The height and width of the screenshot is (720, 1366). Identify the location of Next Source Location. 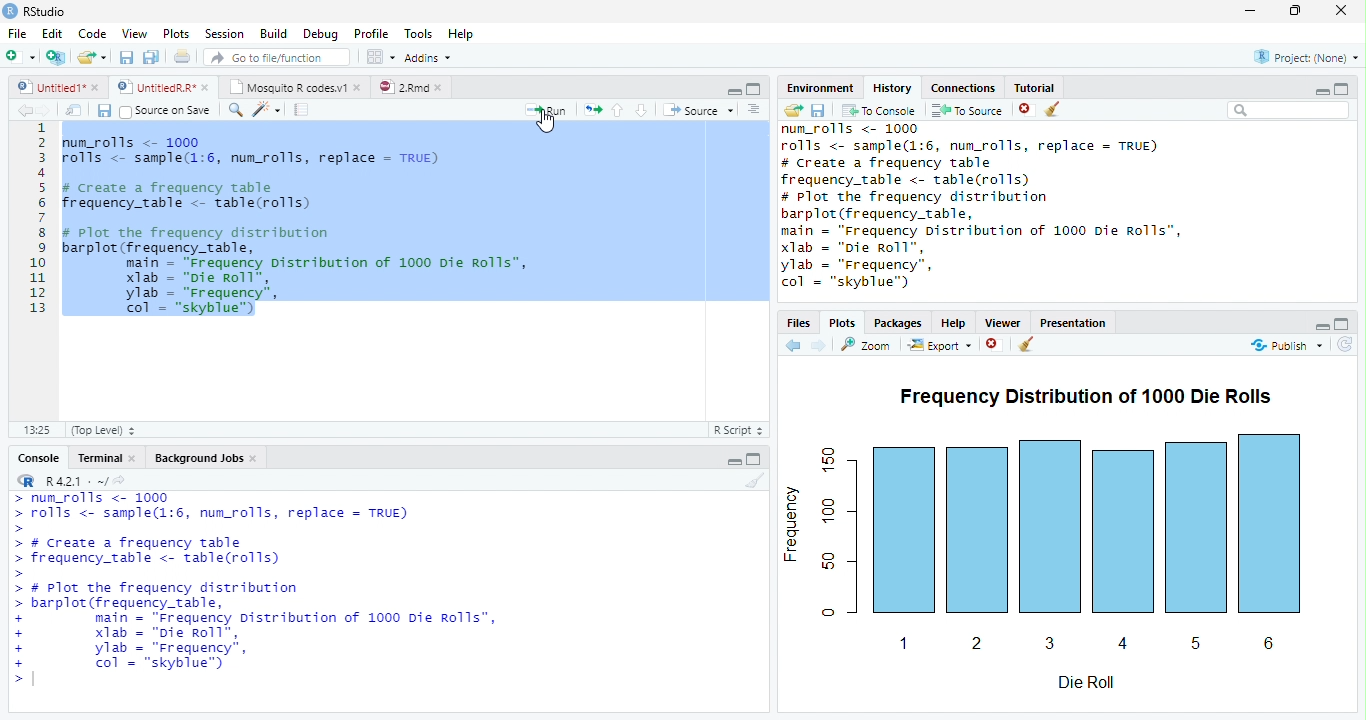
(45, 109).